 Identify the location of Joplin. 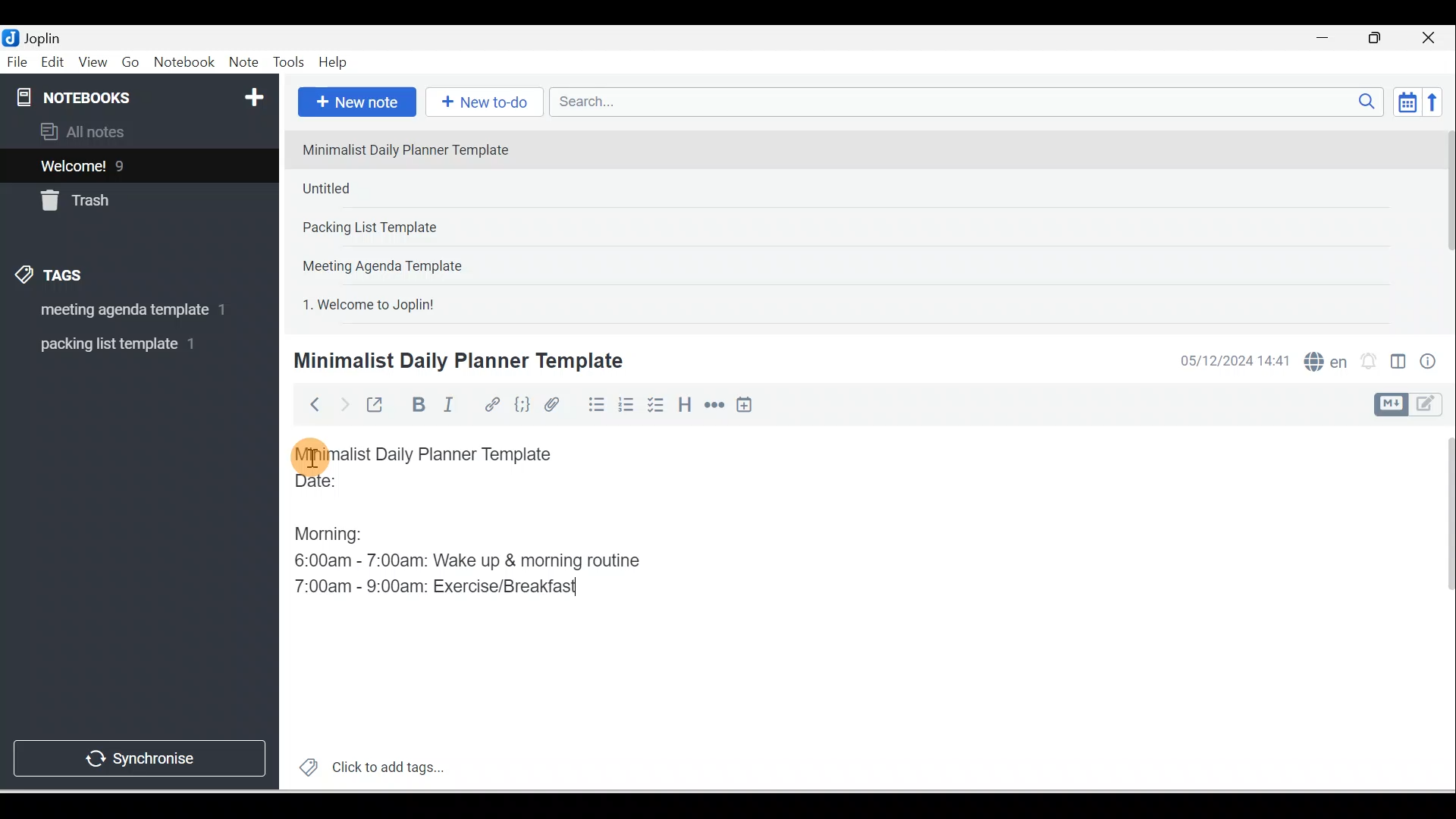
(46, 36).